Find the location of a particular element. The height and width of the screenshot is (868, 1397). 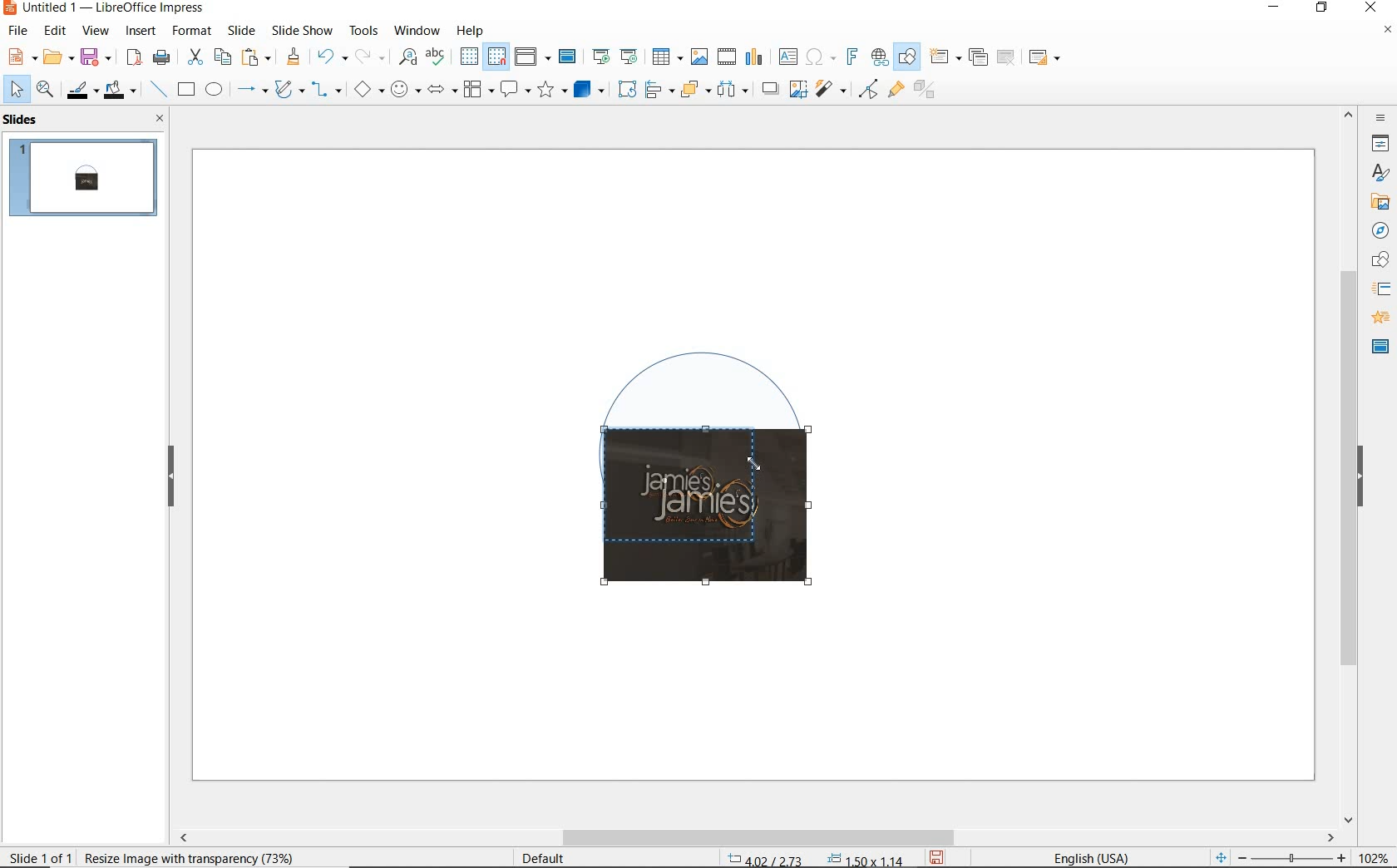

close is located at coordinates (155, 118).